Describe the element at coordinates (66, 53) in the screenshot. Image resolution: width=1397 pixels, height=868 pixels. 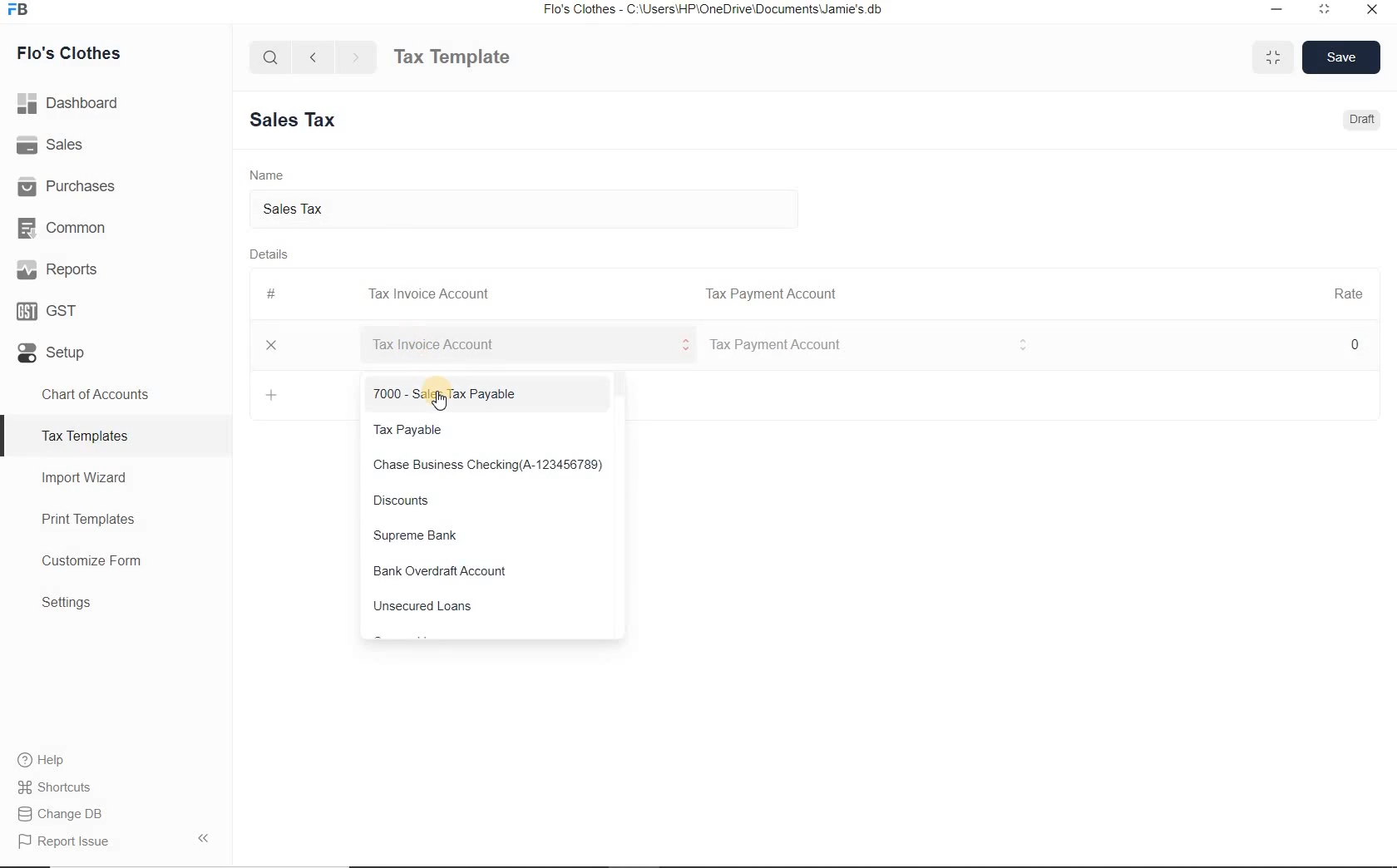
I see `Flo's Clothes` at that location.